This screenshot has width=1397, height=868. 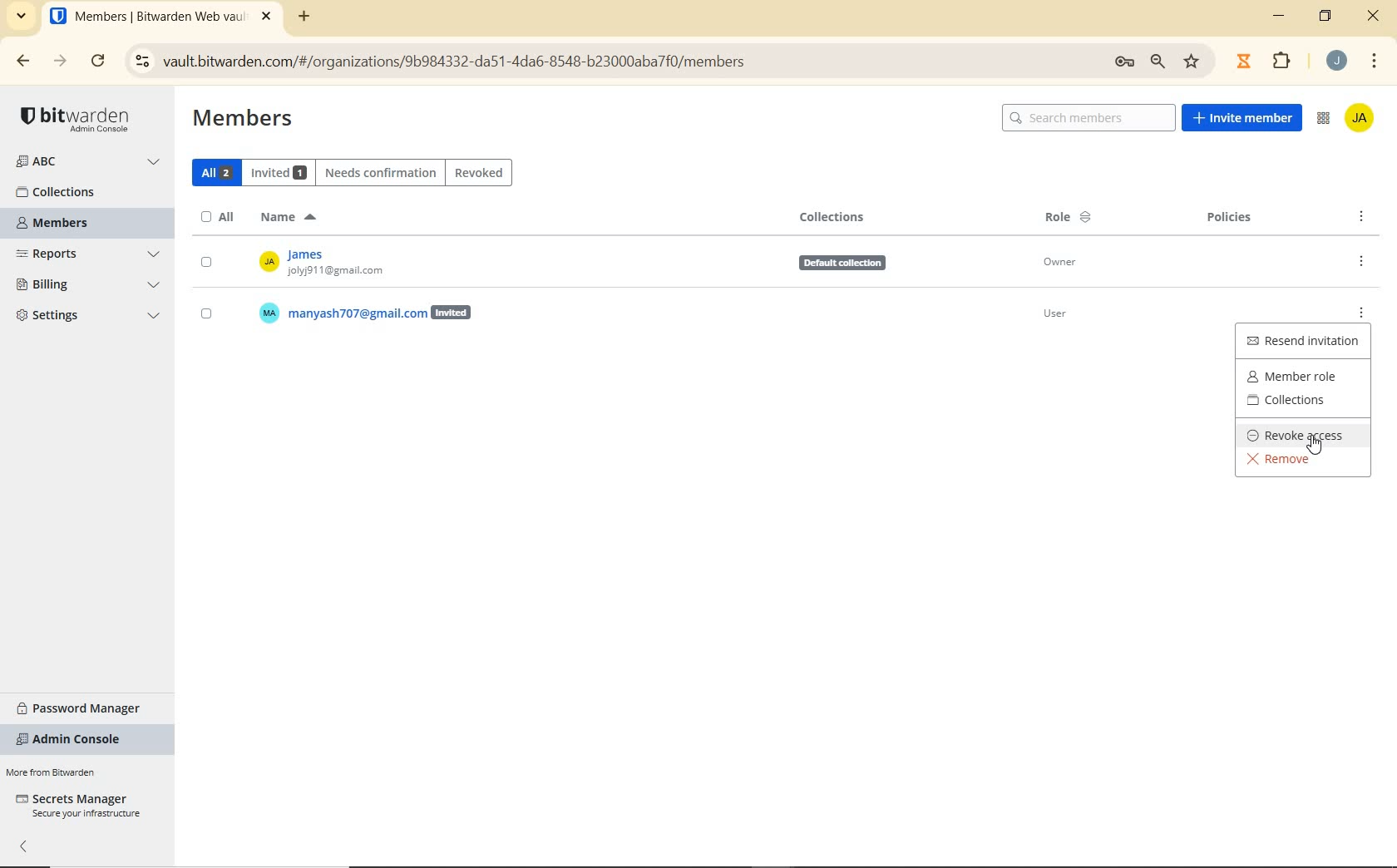 What do you see at coordinates (77, 806) in the screenshot?
I see `SECRETS MANAGER` at bounding box center [77, 806].